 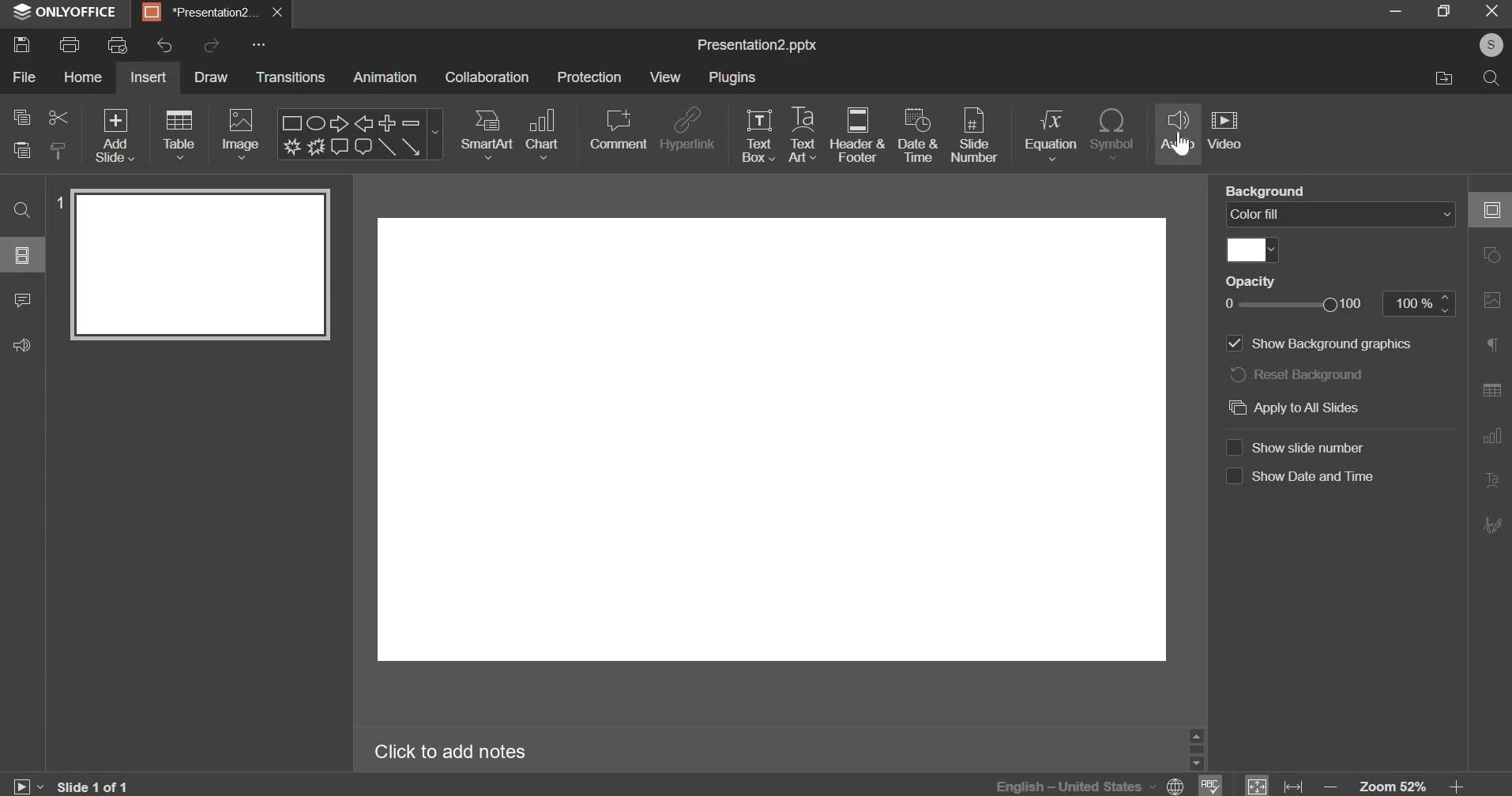 What do you see at coordinates (861, 136) in the screenshot?
I see `header & footer` at bounding box center [861, 136].